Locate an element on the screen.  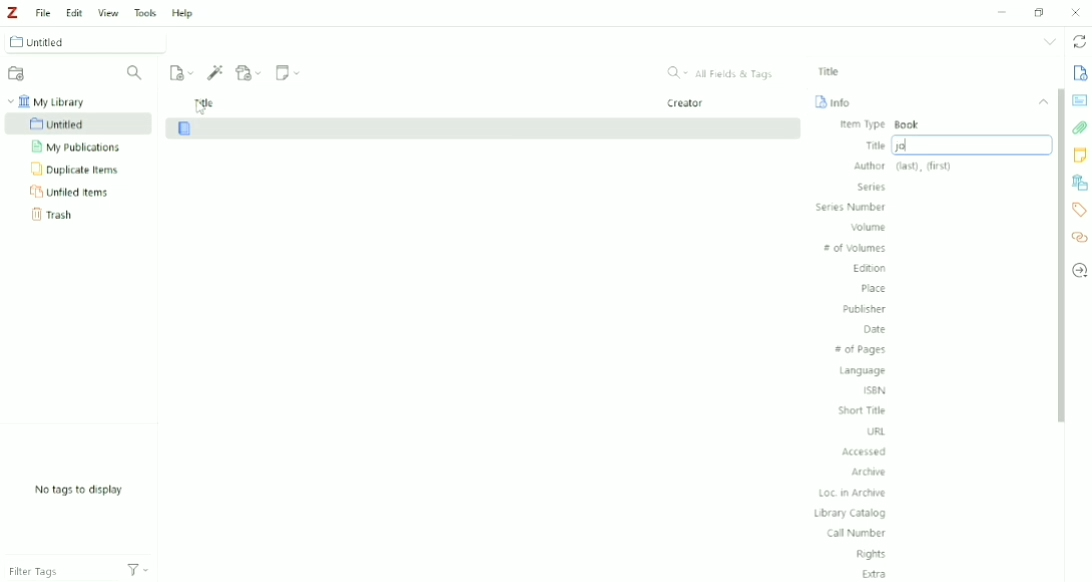
Date is located at coordinates (875, 330).